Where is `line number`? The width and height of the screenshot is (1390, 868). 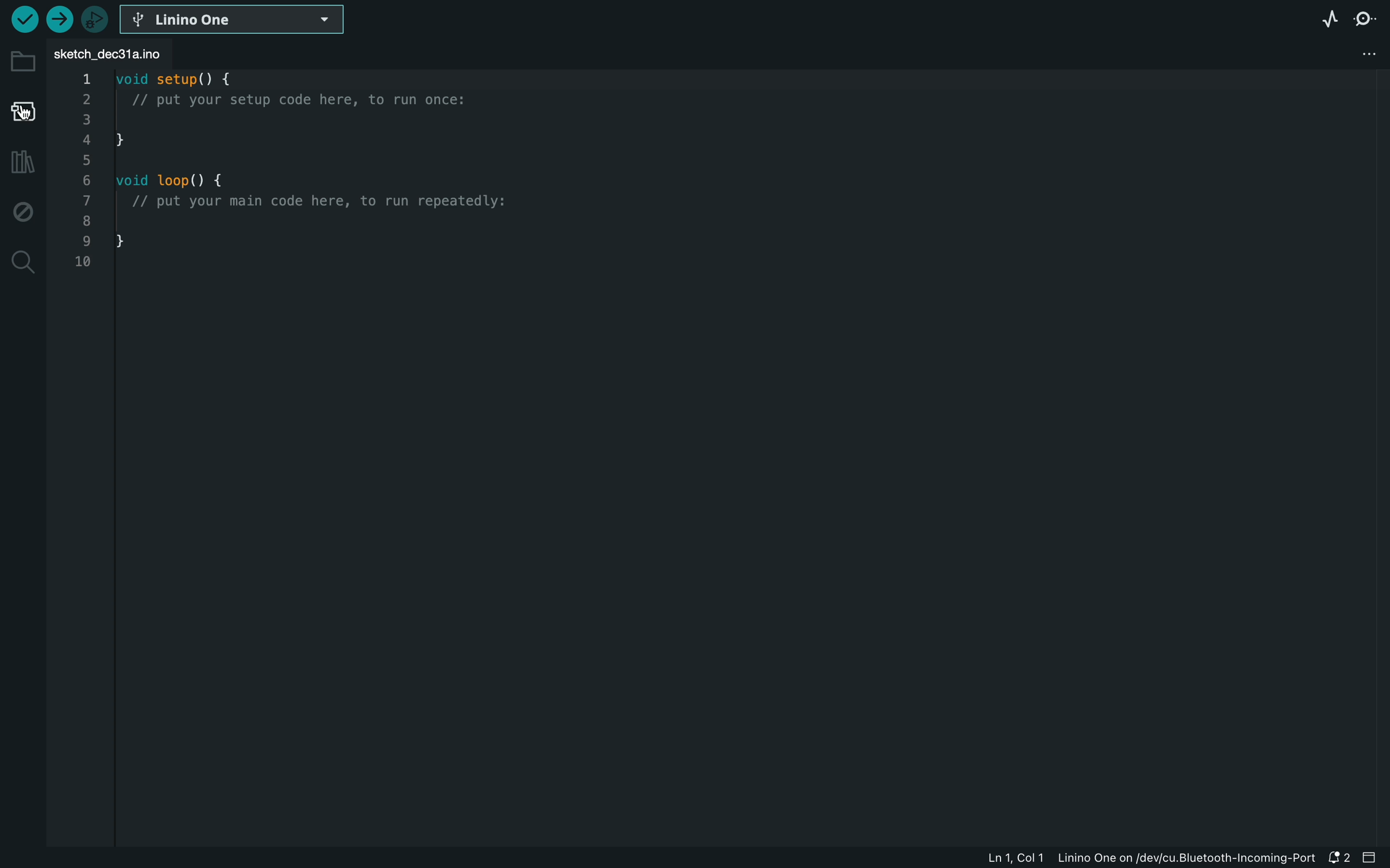 line number is located at coordinates (84, 169).